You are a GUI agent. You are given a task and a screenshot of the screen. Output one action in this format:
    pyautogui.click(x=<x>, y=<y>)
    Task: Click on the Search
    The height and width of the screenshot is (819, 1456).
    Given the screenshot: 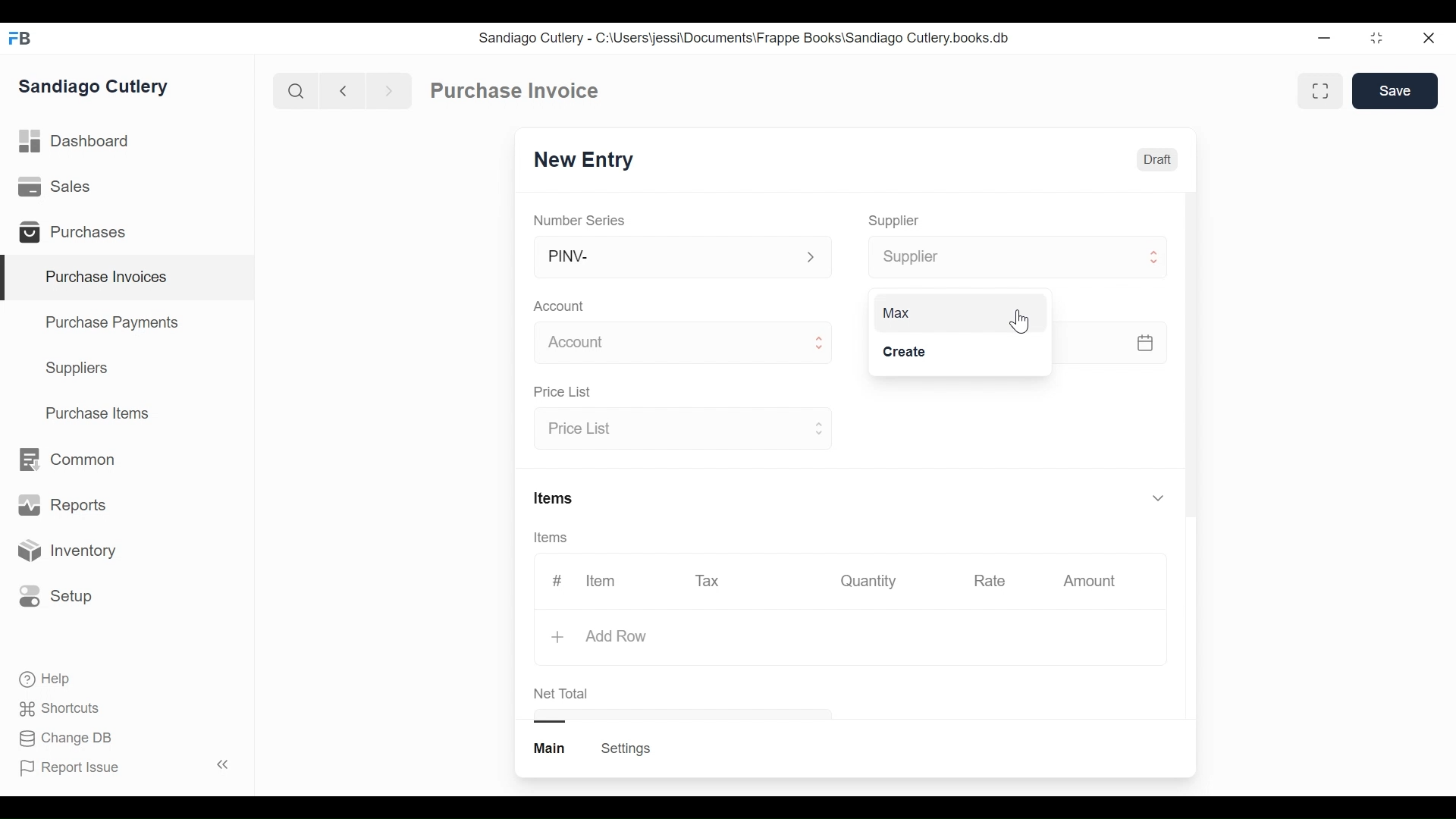 What is the action you would take?
    pyautogui.click(x=296, y=90)
    